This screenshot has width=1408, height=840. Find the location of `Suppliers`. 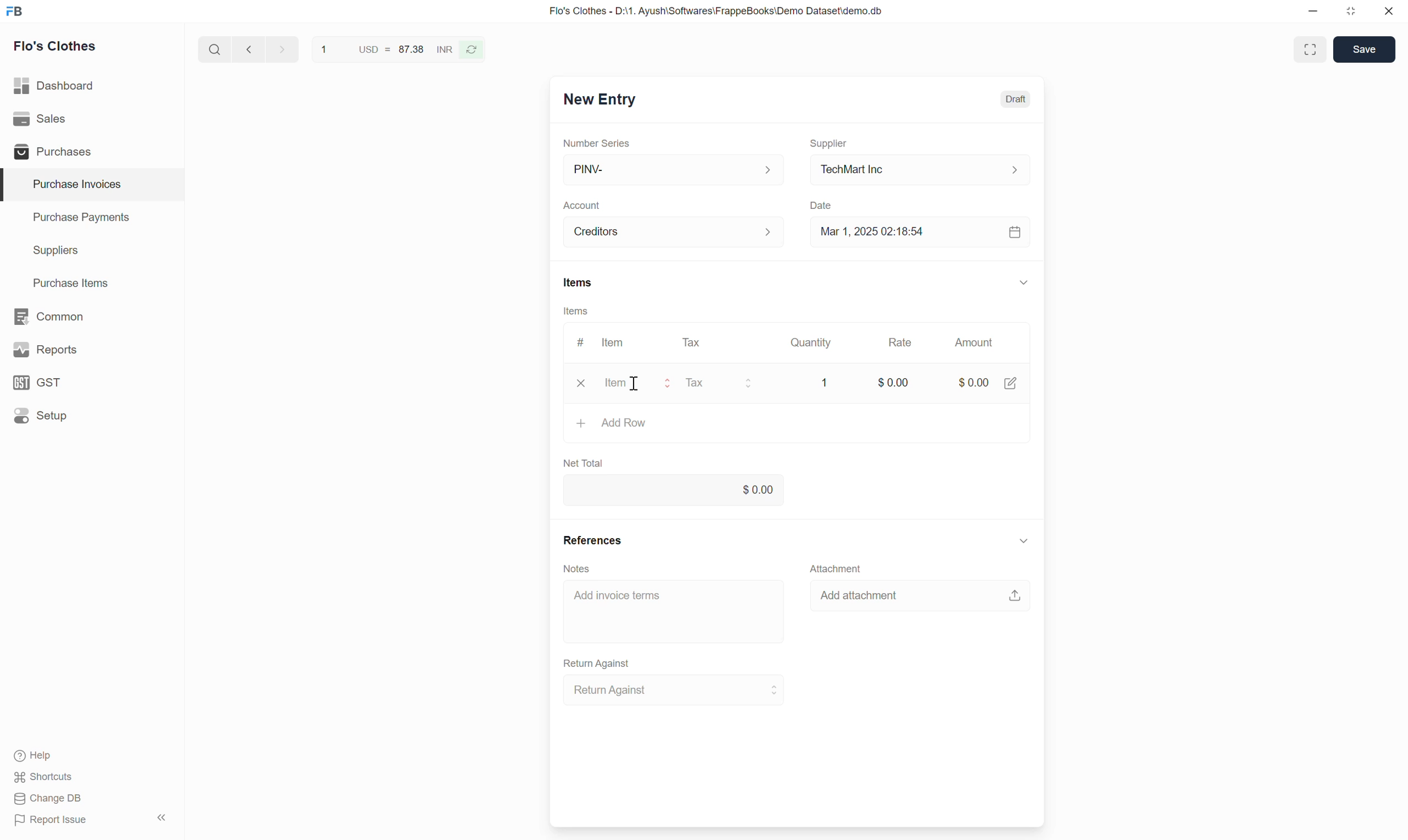

Suppliers is located at coordinates (92, 251).